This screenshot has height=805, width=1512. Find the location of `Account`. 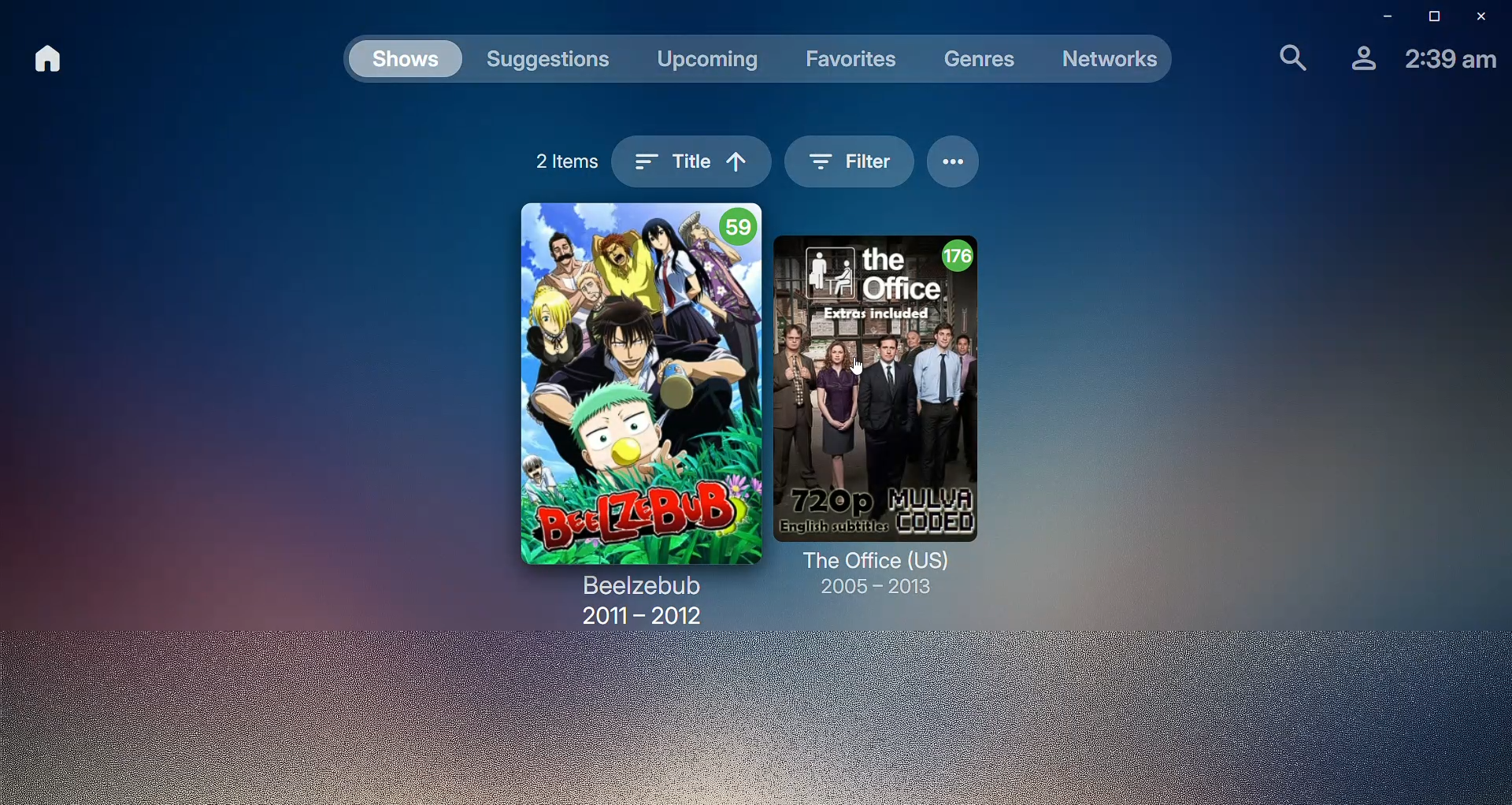

Account is located at coordinates (1358, 60).